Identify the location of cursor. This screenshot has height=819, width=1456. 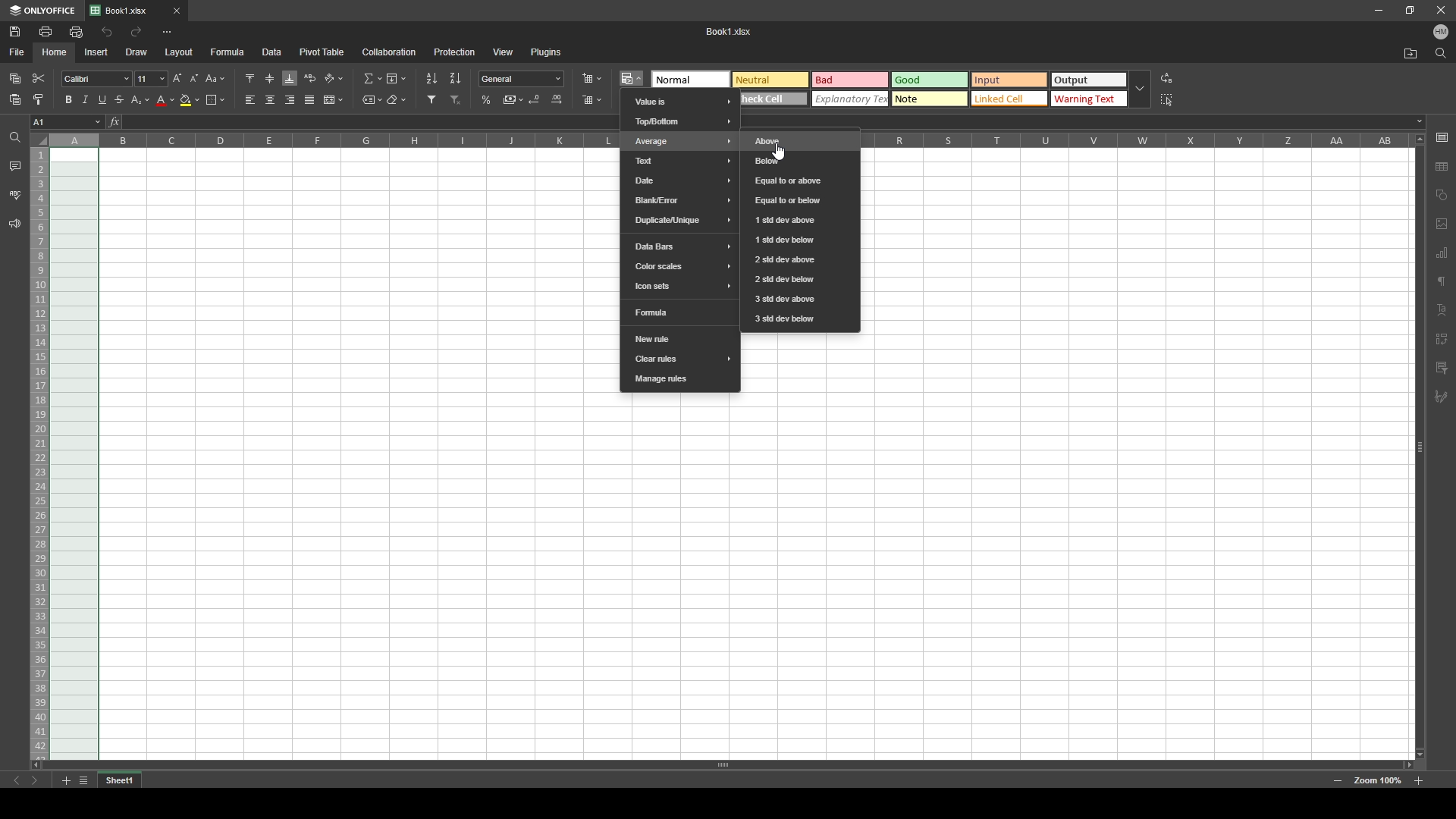
(633, 83).